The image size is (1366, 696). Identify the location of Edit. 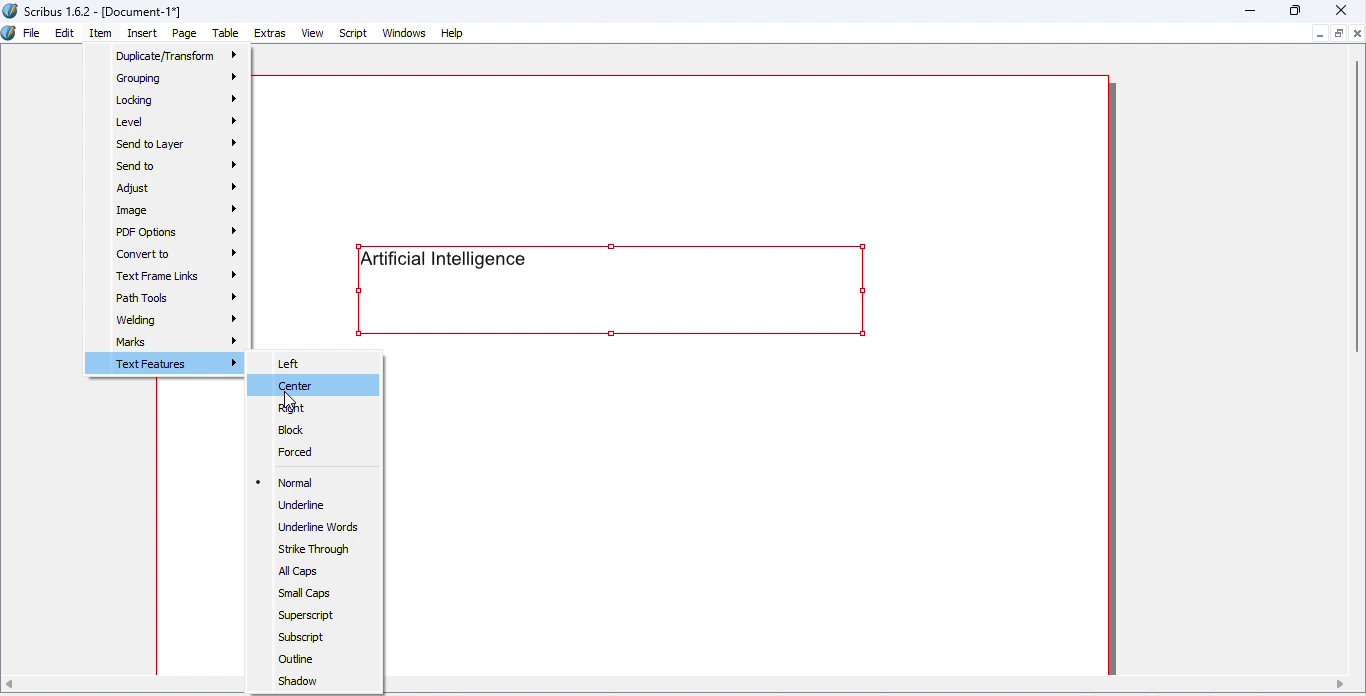
(62, 34).